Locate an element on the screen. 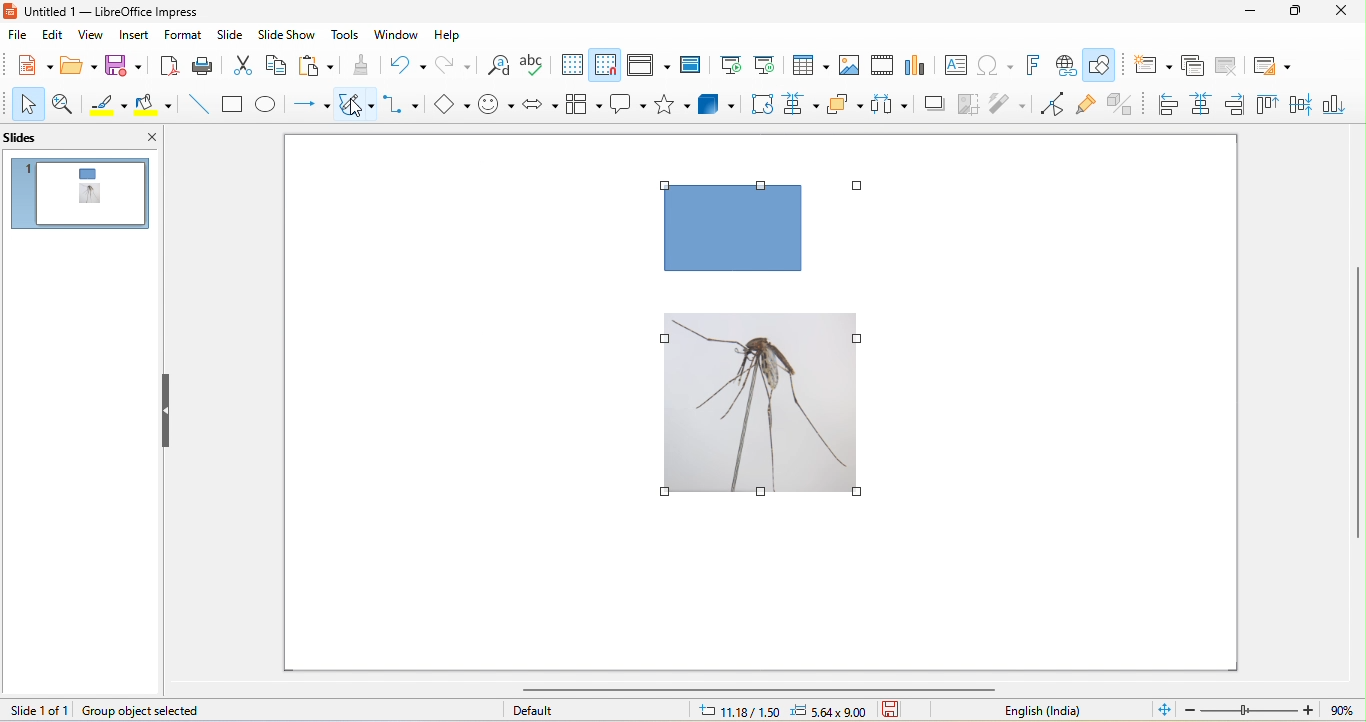 This screenshot has height=722, width=1366. filter is located at coordinates (1008, 106).